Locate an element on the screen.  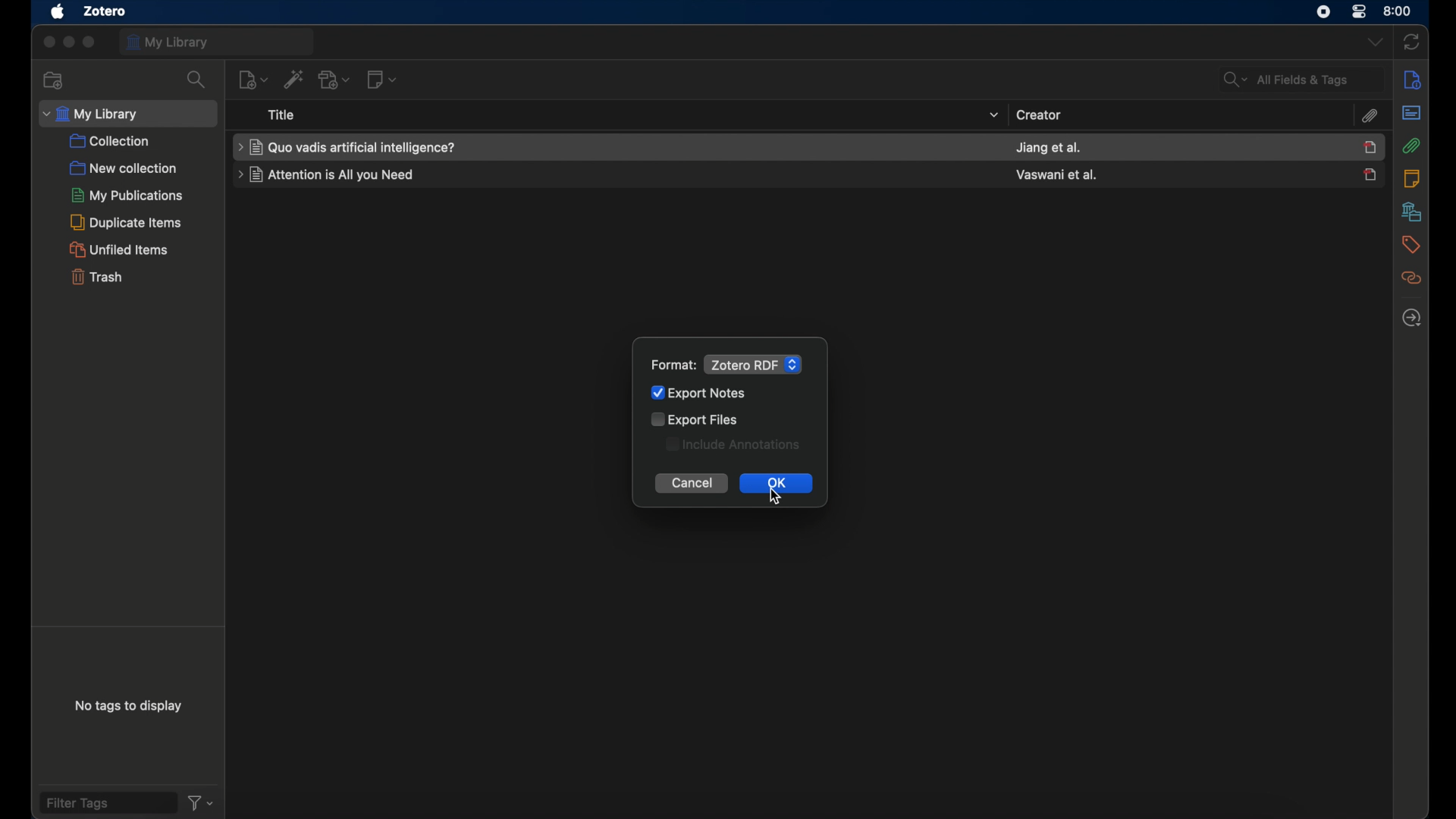
close is located at coordinates (48, 42).